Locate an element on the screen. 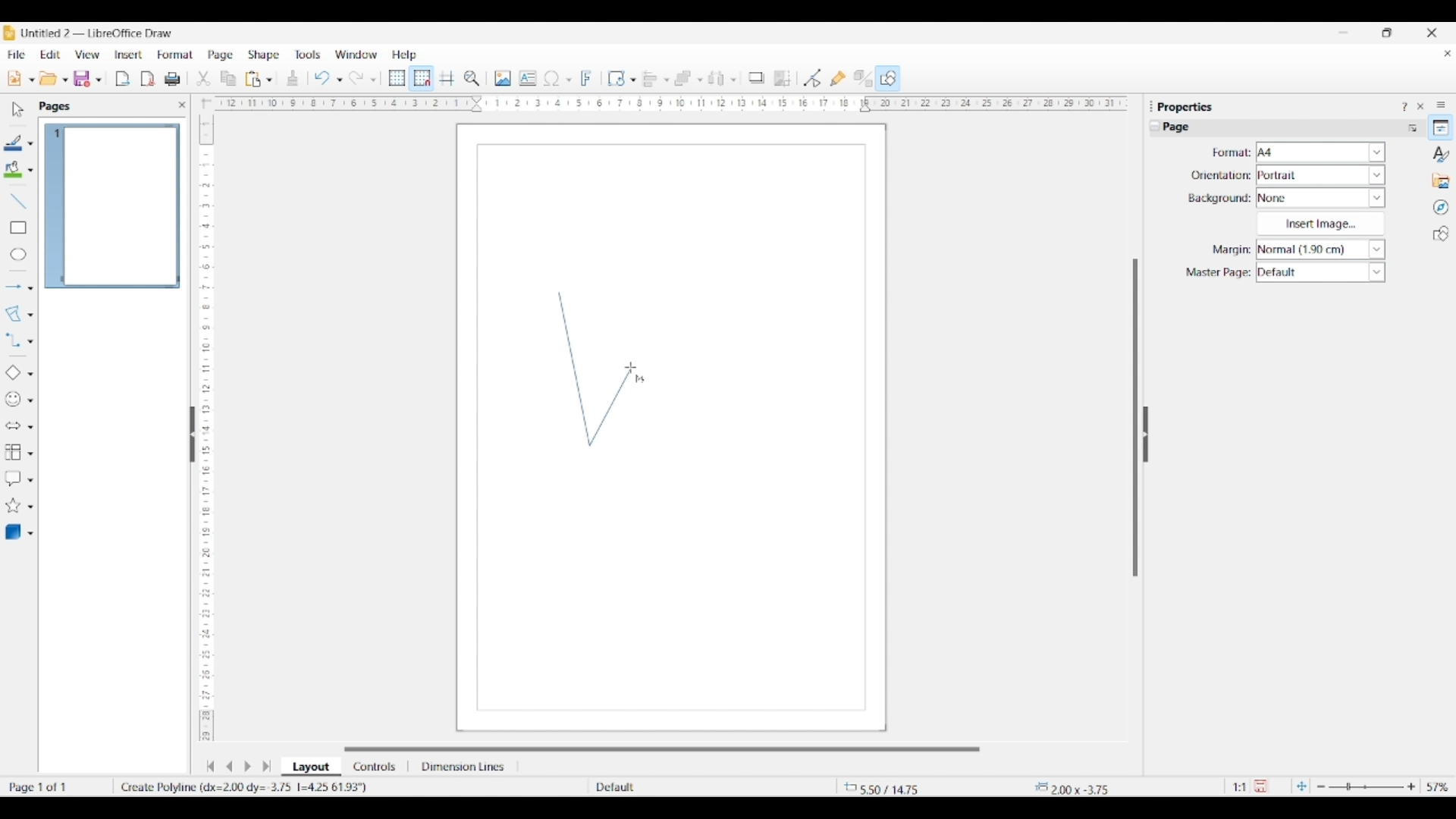 The image size is (1456, 819). Close interface is located at coordinates (1432, 33).